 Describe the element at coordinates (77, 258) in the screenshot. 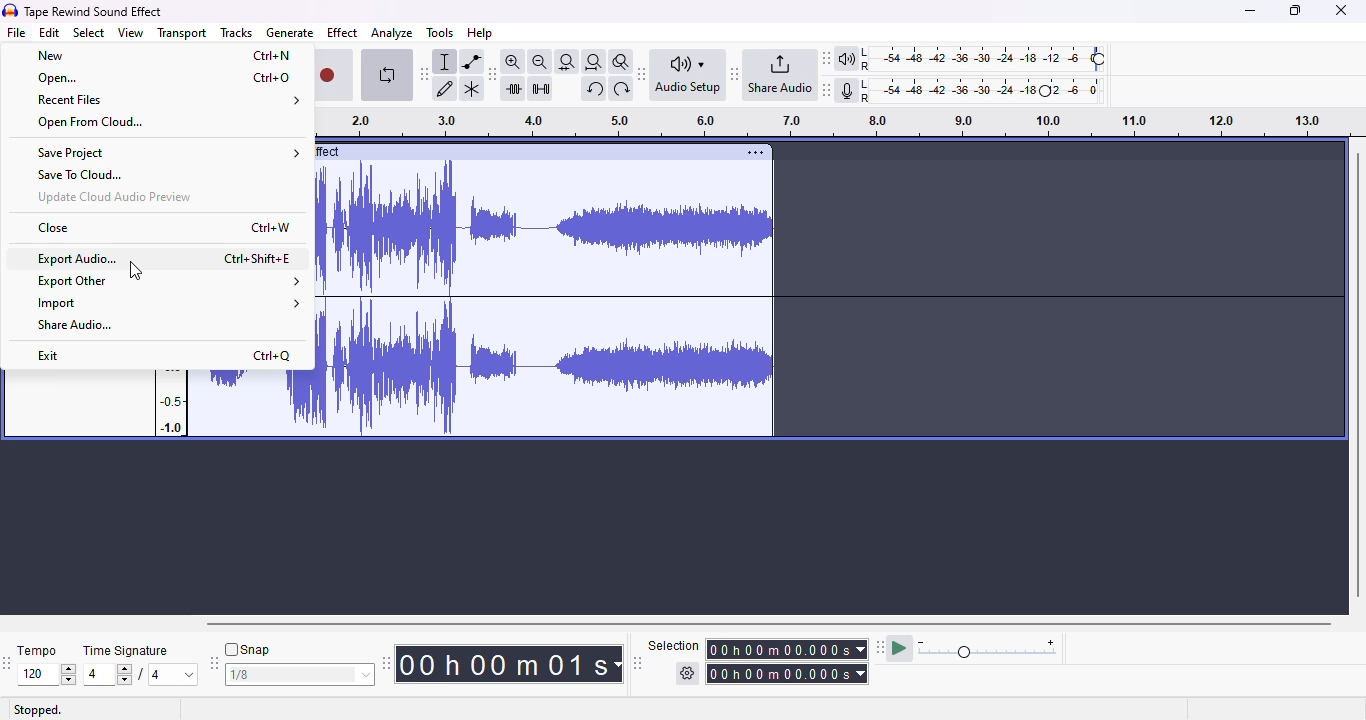

I see `export audio` at that location.